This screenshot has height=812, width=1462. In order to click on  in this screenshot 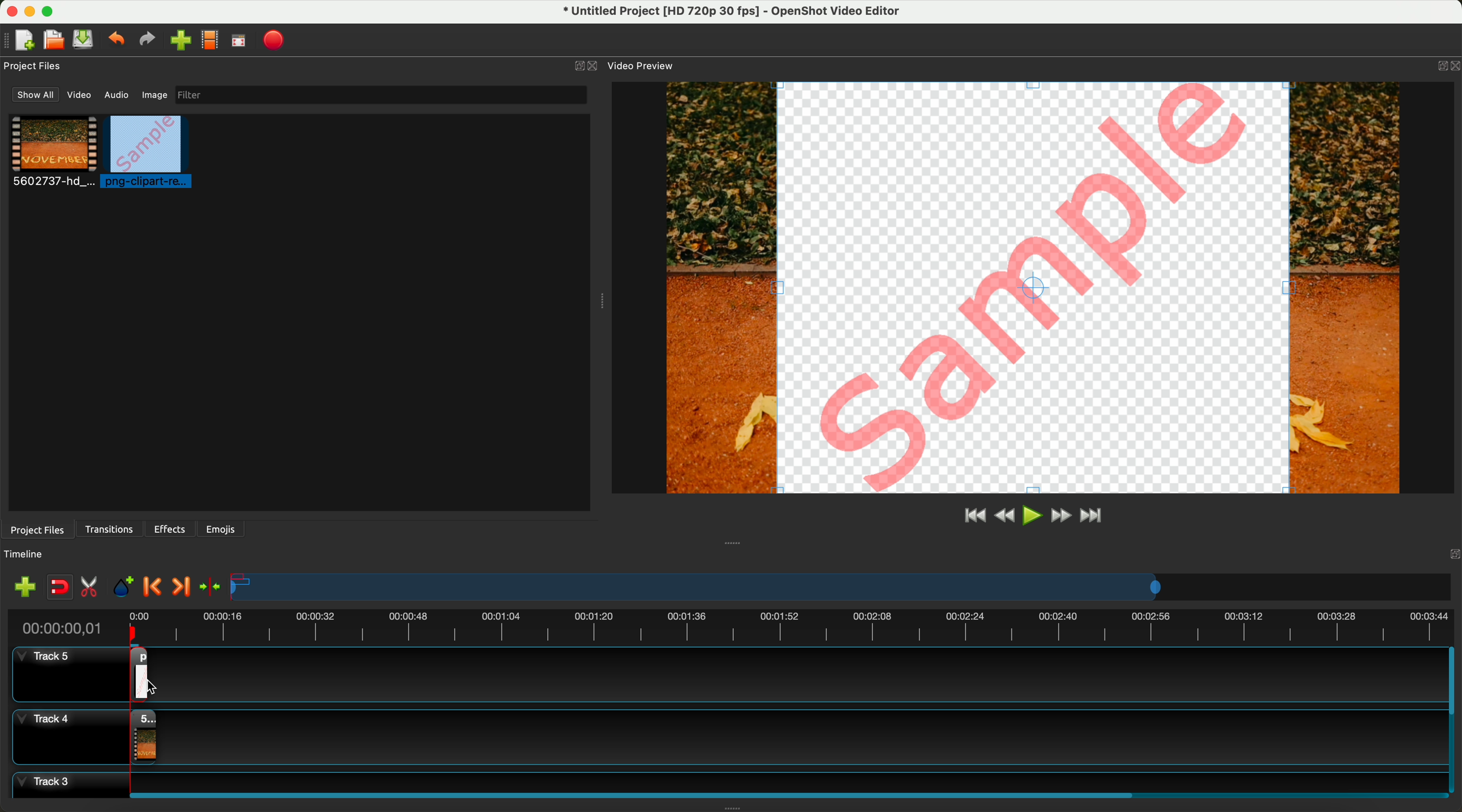, I will do `click(1451, 553)`.